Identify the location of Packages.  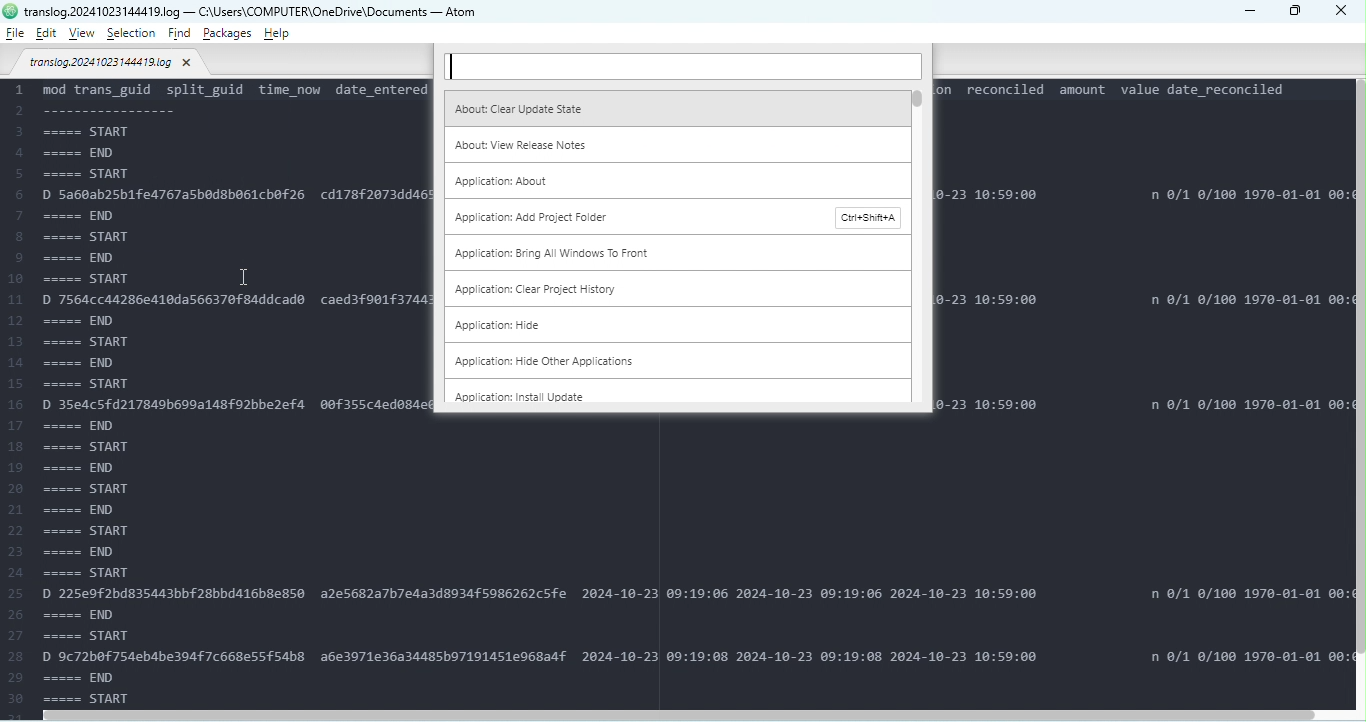
(229, 33).